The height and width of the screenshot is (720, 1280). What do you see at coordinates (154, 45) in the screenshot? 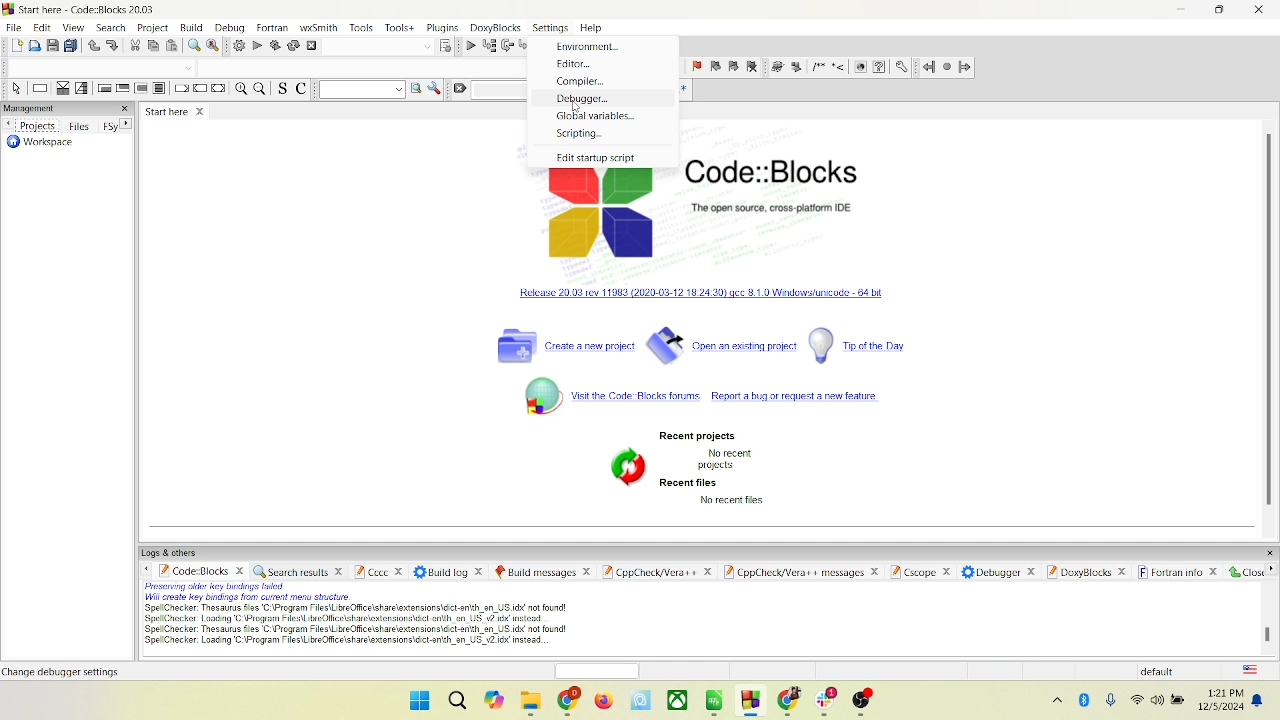
I see `copy` at bounding box center [154, 45].